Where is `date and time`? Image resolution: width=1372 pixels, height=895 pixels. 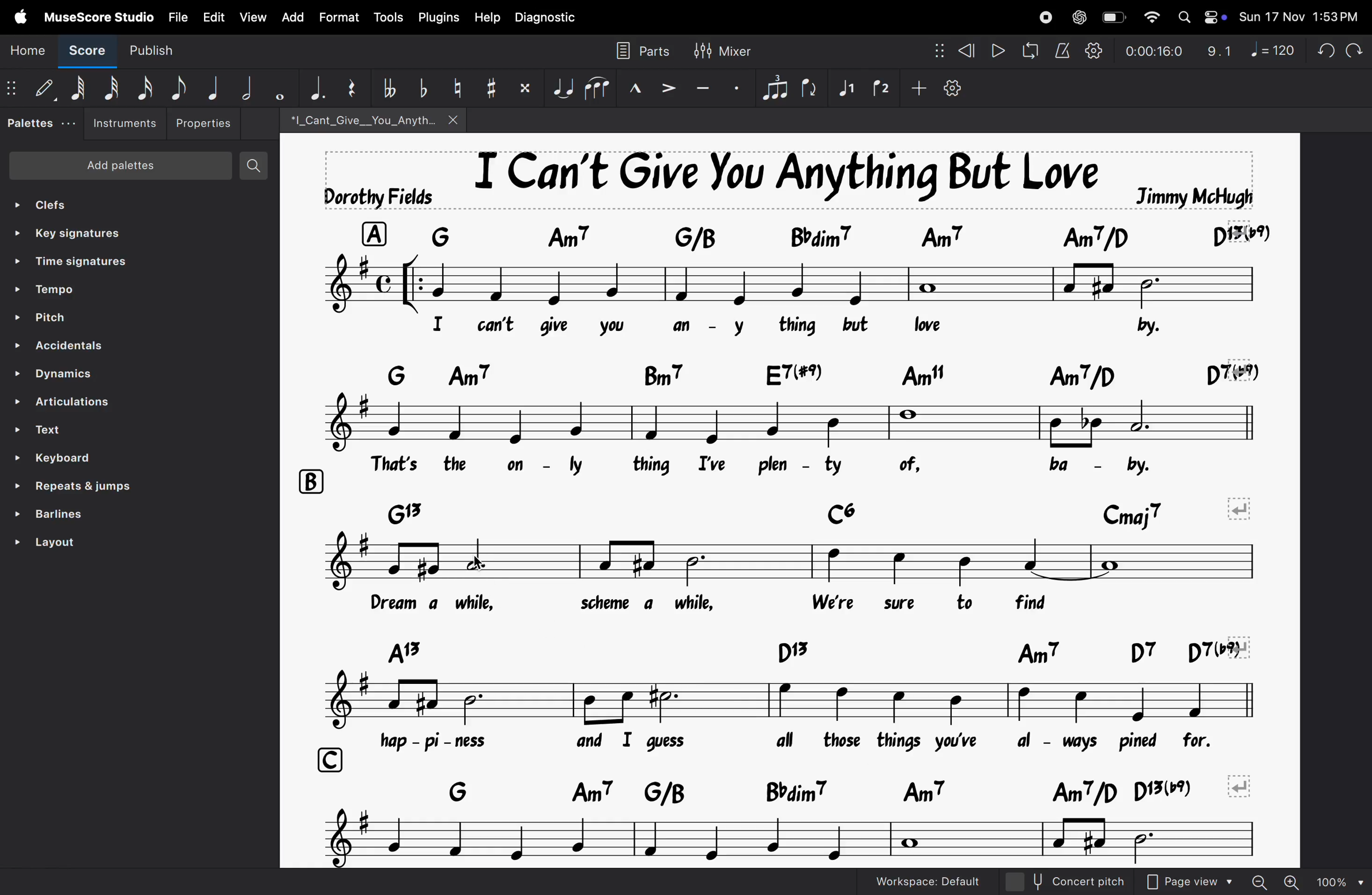 date and time is located at coordinates (1302, 14).